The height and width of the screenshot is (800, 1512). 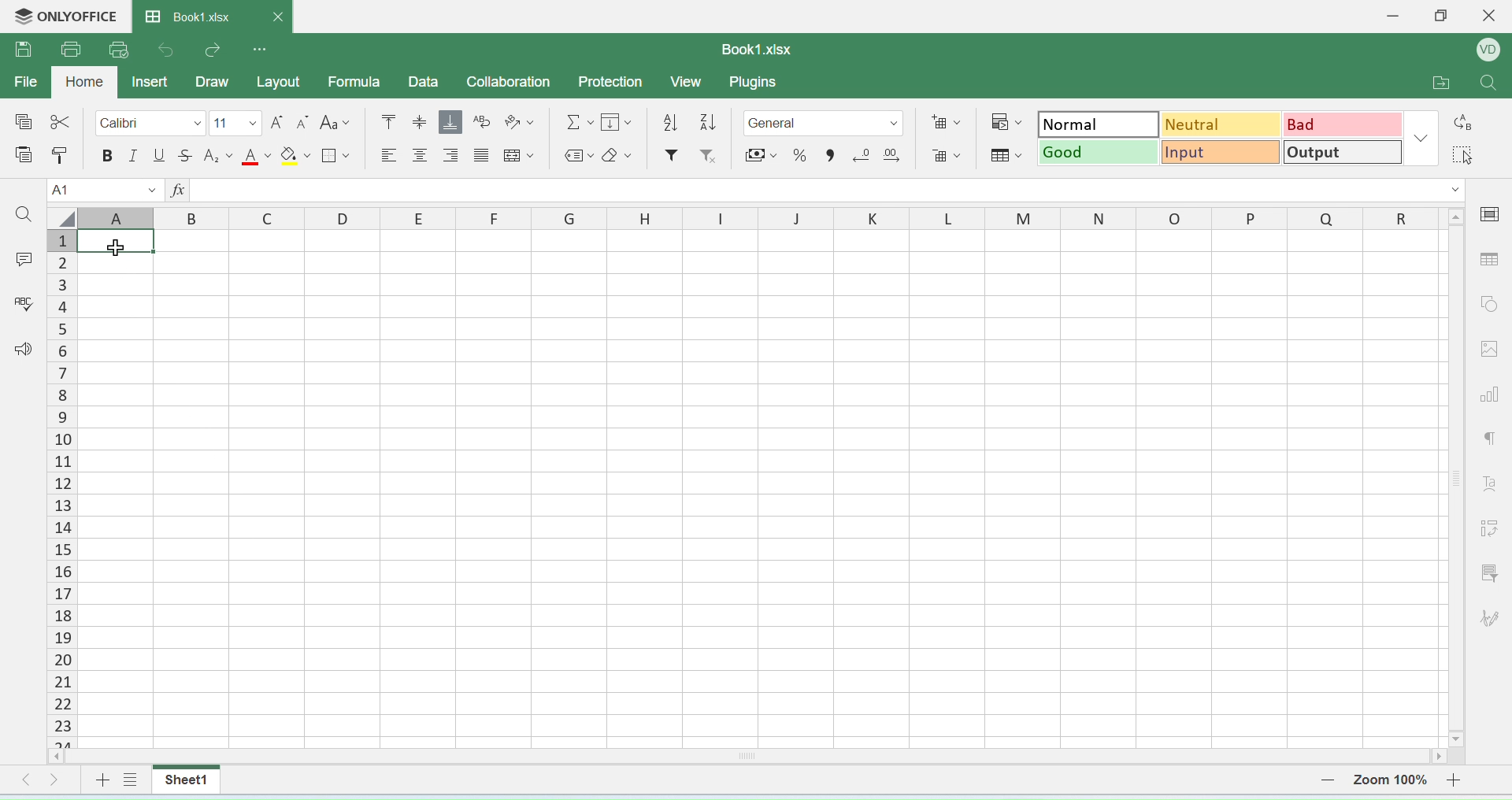 What do you see at coordinates (864, 154) in the screenshot?
I see `remove decimal` at bounding box center [864, 154].